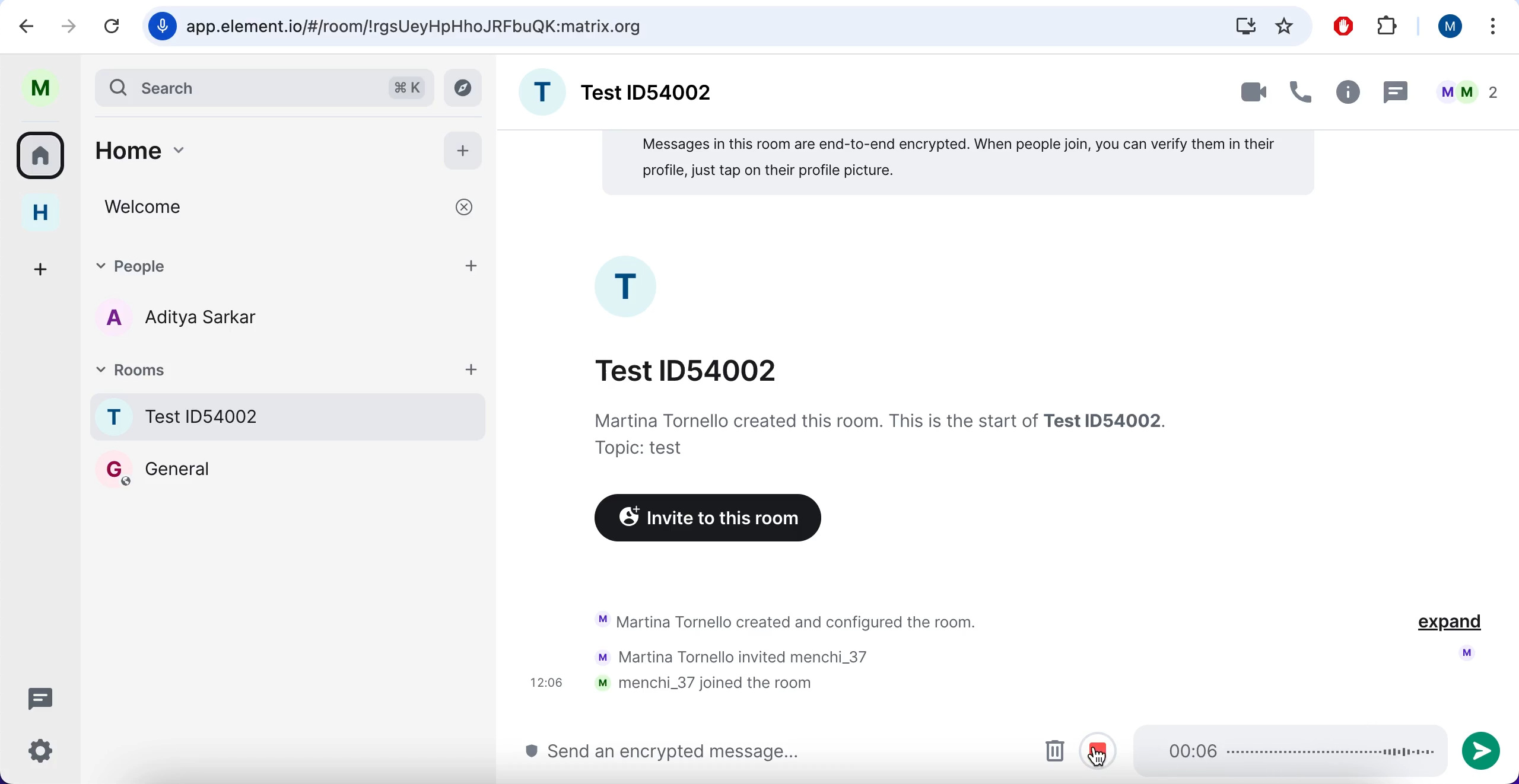 The image size is (1519, 784). I want to click on search, so click(234, 87).